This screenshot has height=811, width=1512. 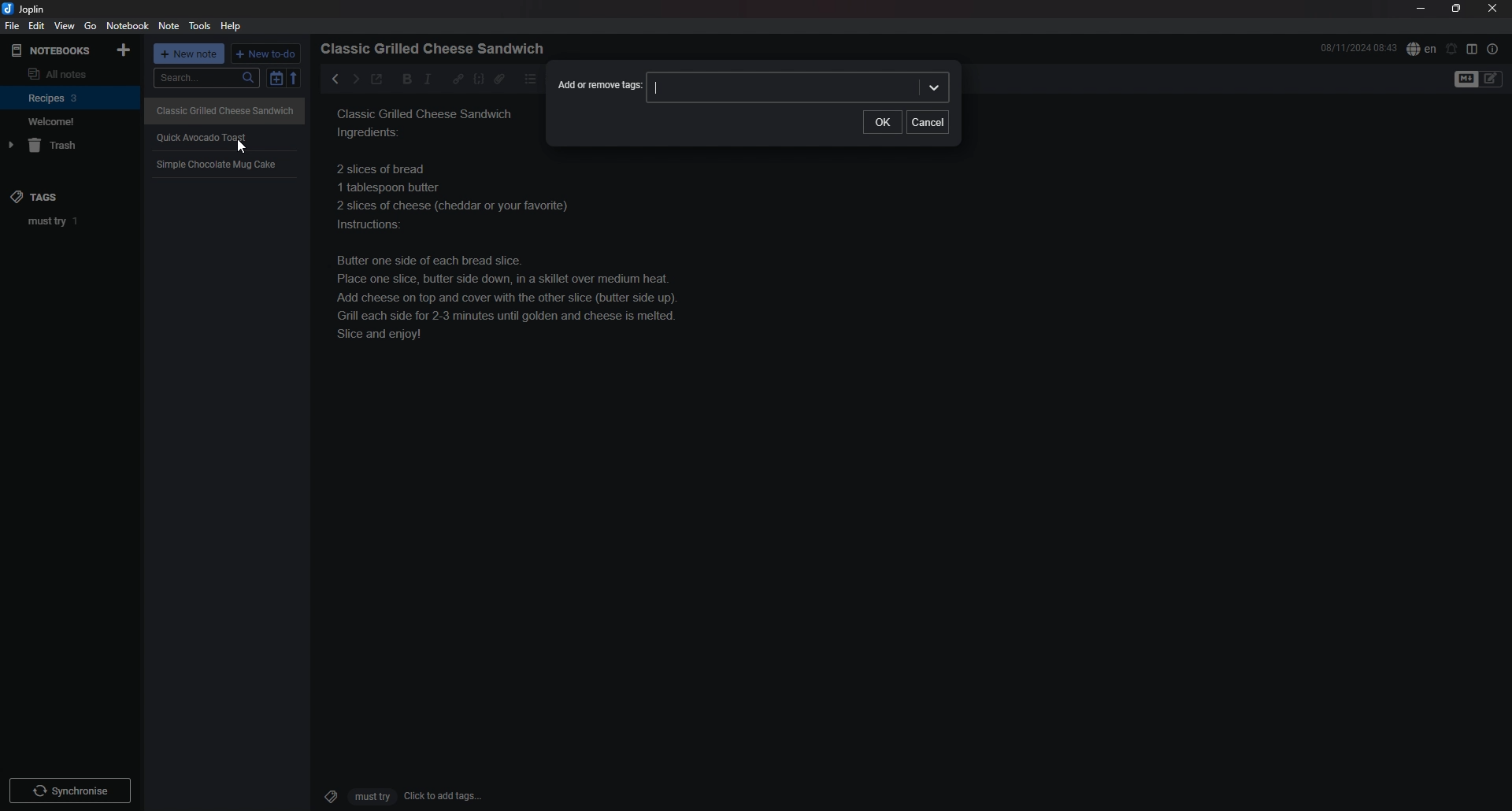 What do you see at coordinates (499, 79) in the screenshot?
I see `attachment` at bounding box center [499, 79].